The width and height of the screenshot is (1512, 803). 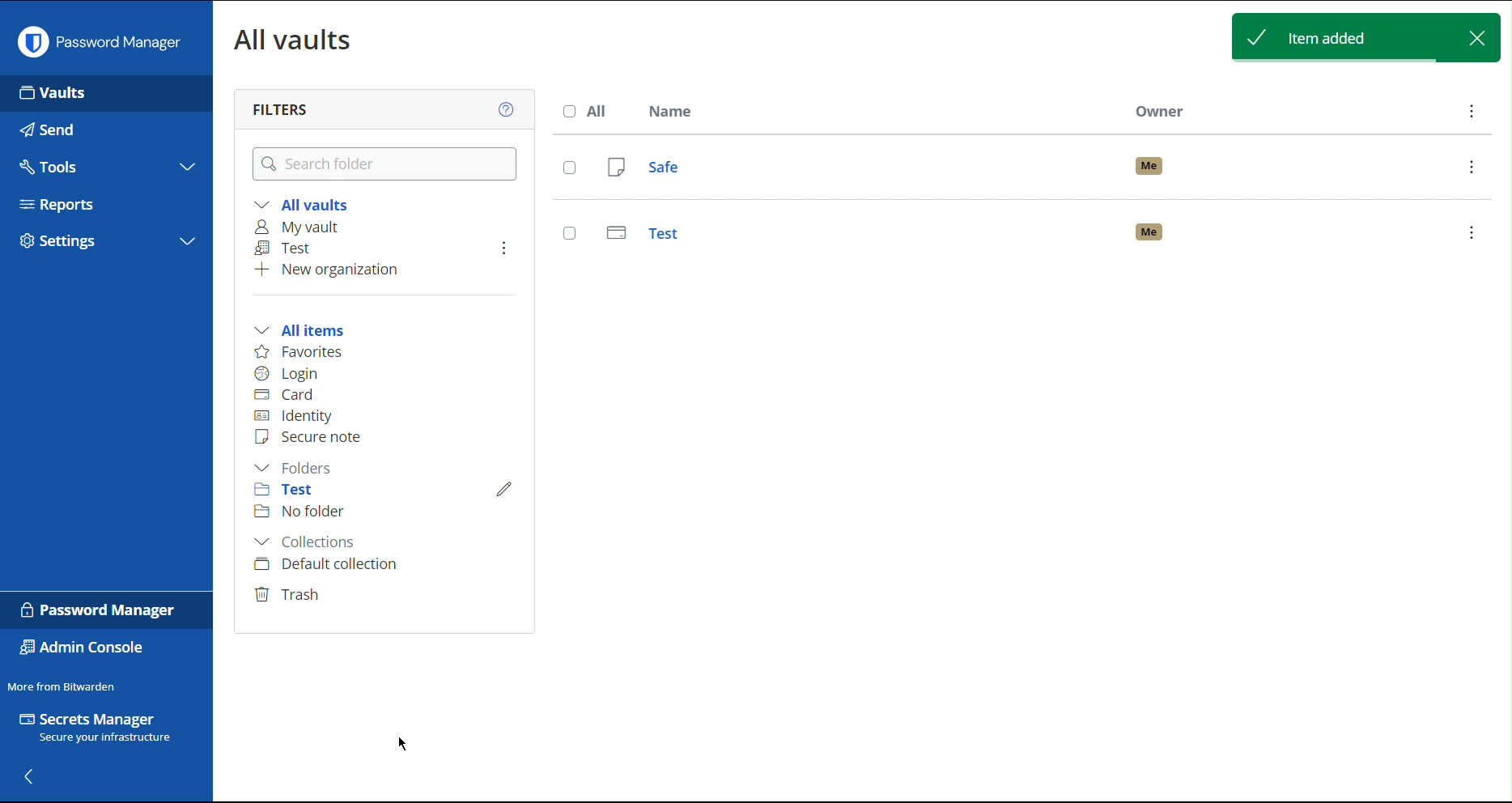 I want to click on Search Folder, so click(x=386, y=164).